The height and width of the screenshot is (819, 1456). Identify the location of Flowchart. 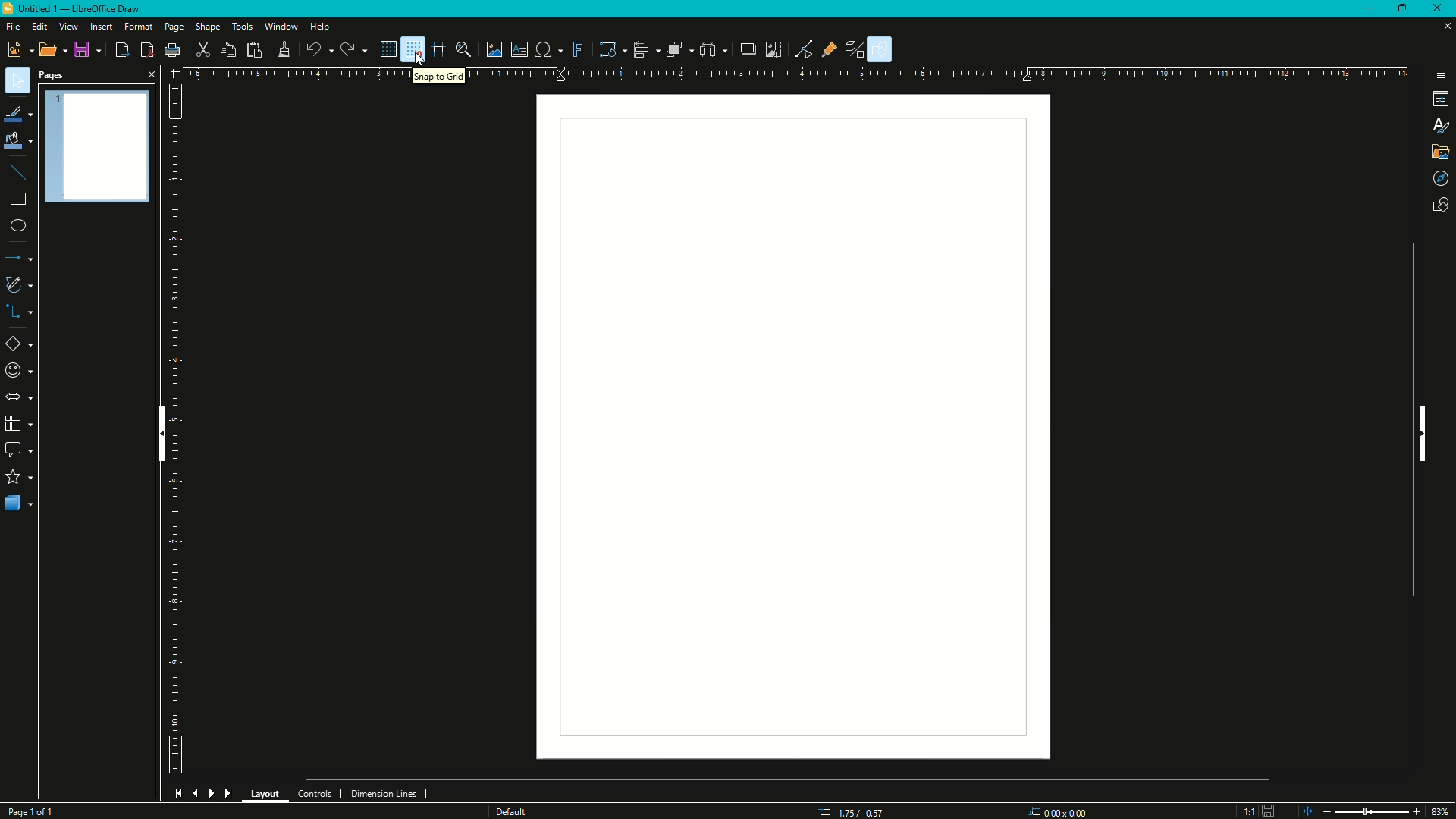
(24, 425).